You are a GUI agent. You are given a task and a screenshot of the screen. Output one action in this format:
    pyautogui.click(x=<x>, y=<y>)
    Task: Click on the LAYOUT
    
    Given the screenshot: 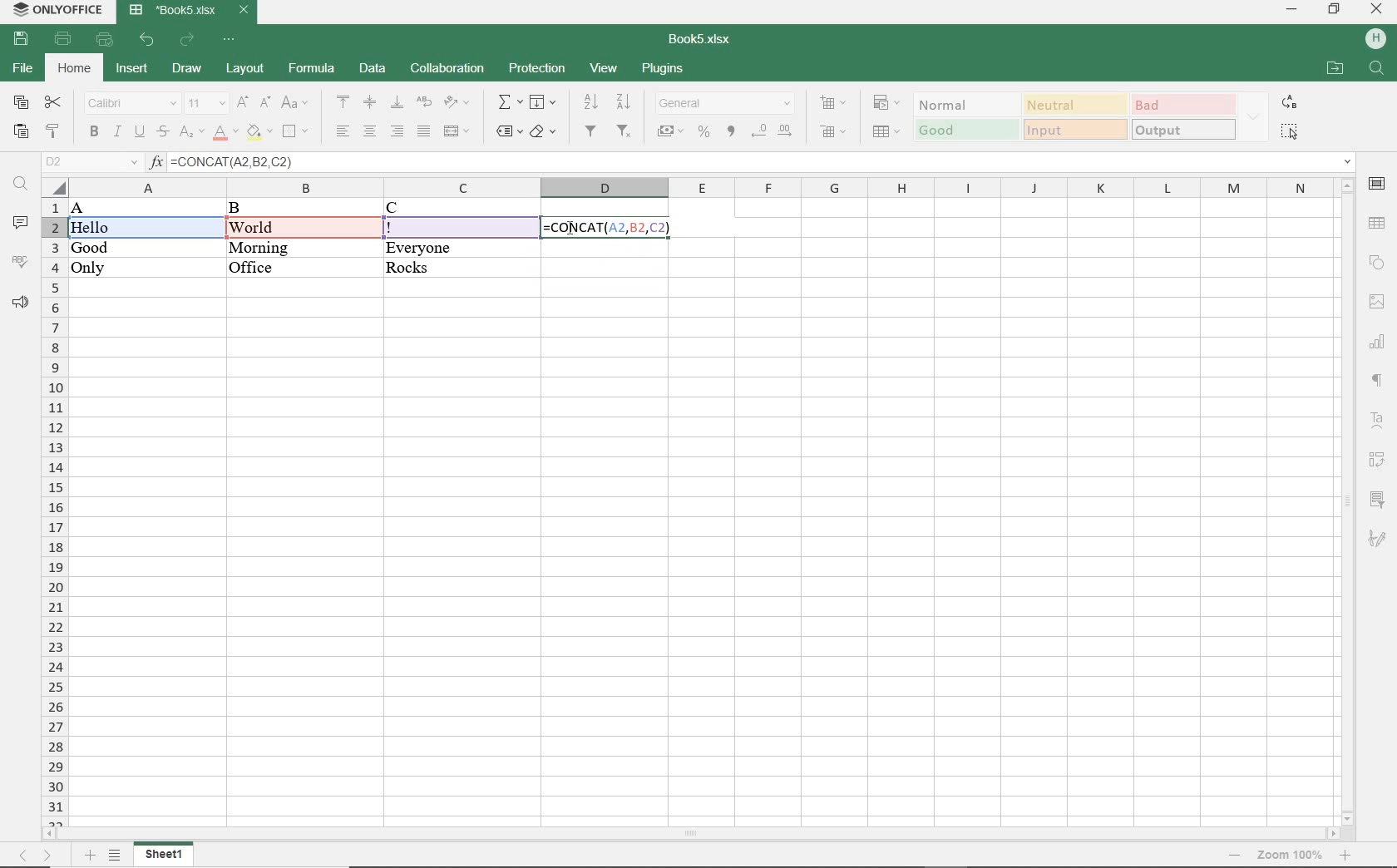 What is the action you would take?
    pyautogui.click(x=247, y=69)
    